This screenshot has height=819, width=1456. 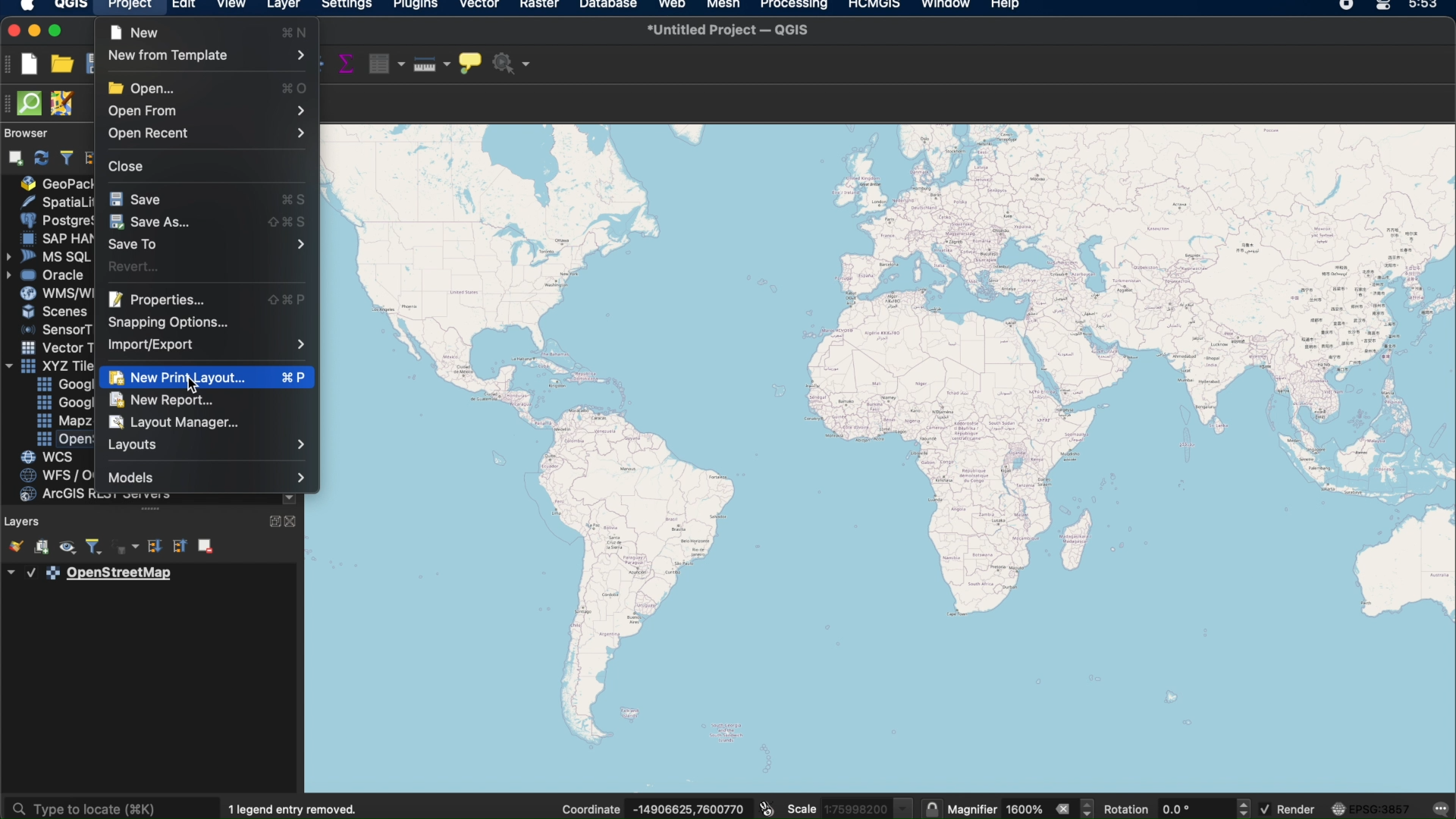 What do you see at coordinates (89, 576) in the screenshot?
I see `layer` at bounding box center [89, 576].